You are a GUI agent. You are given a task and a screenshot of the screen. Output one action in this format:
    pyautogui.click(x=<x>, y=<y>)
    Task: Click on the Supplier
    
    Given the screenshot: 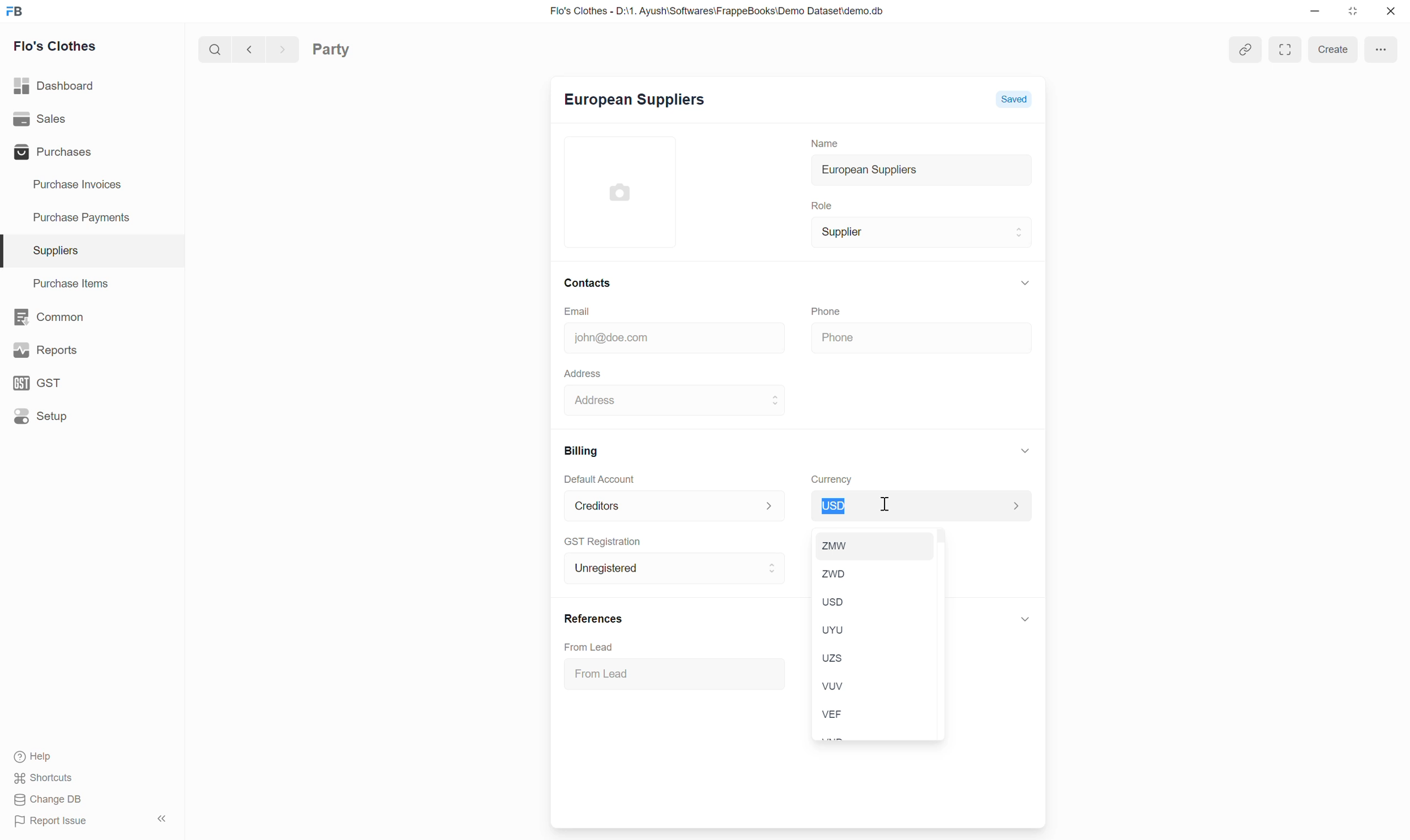 What is the action you would take?
    pyautogui.click(x=838, y=232)
    